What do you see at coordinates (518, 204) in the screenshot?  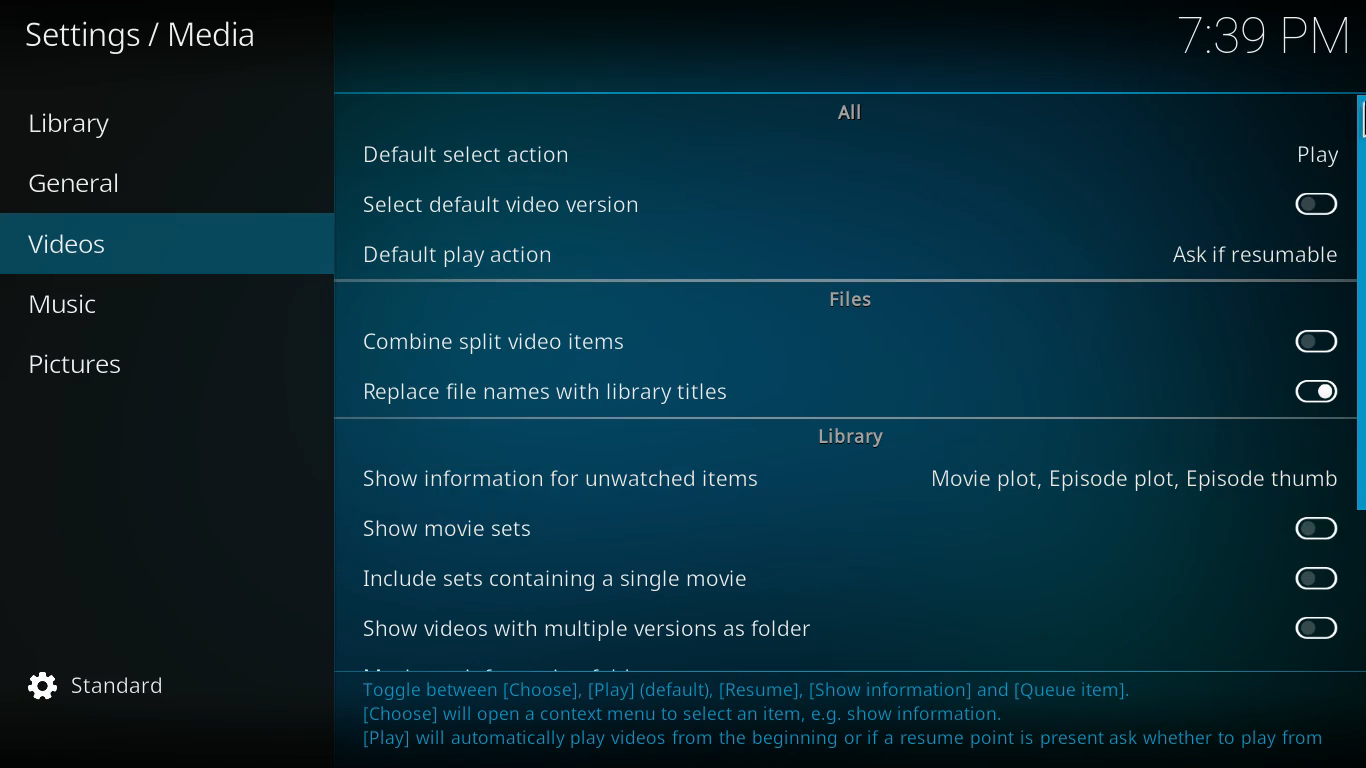 I see `default video version` at bounding box center [518, 204].